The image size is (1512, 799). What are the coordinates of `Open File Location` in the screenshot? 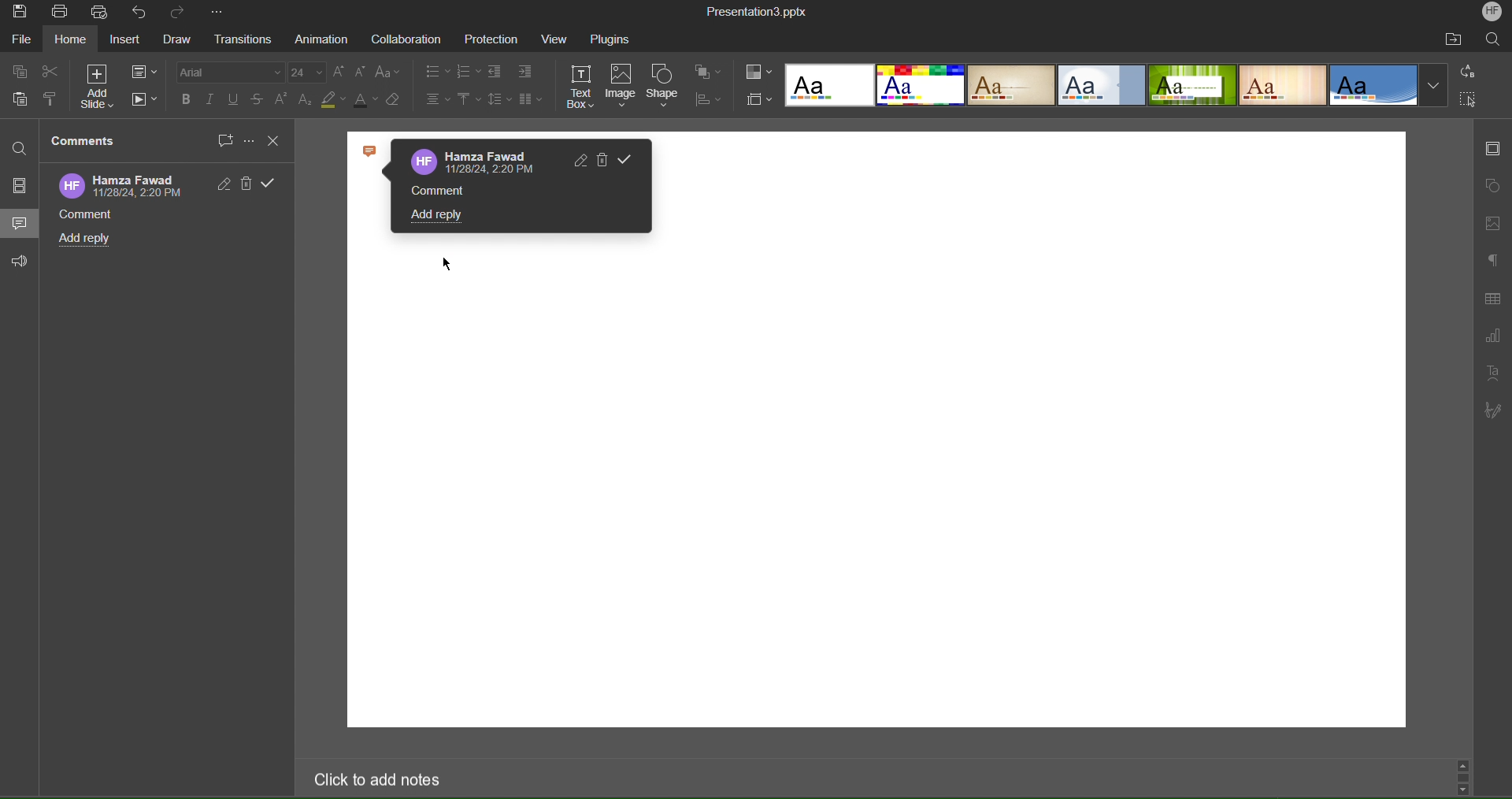 It's located at (1453, 40).